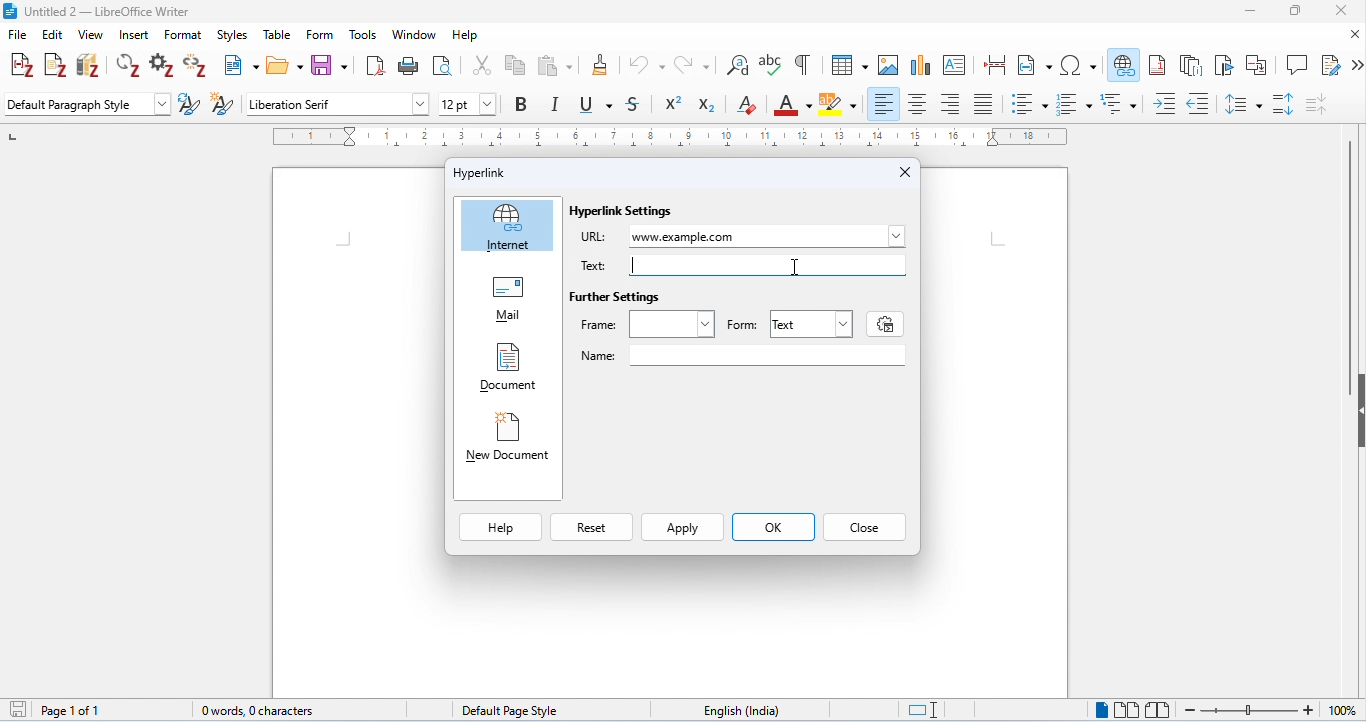  I want to click on Text, so click(598, 263).